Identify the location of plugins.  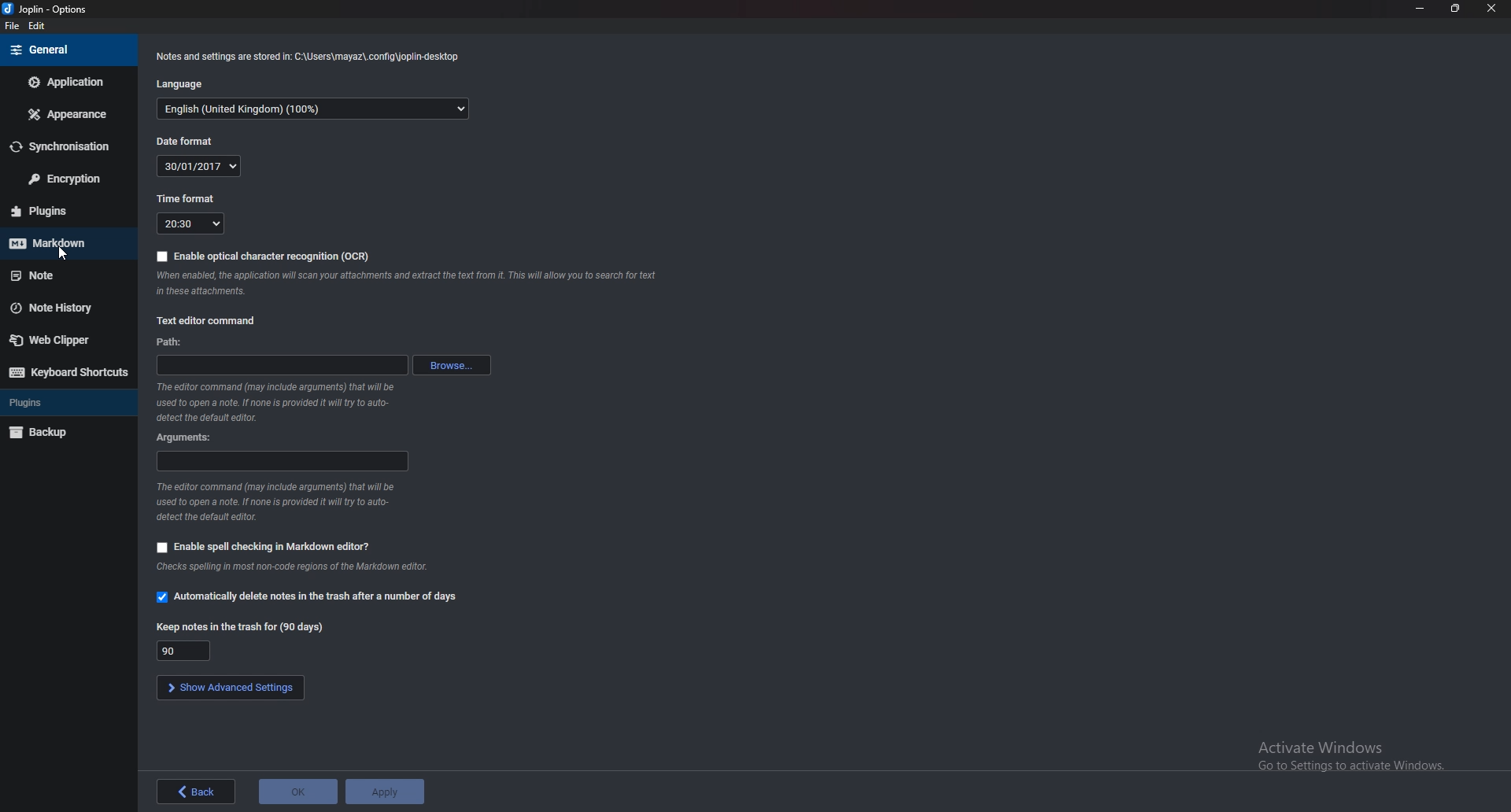
(65, 210).